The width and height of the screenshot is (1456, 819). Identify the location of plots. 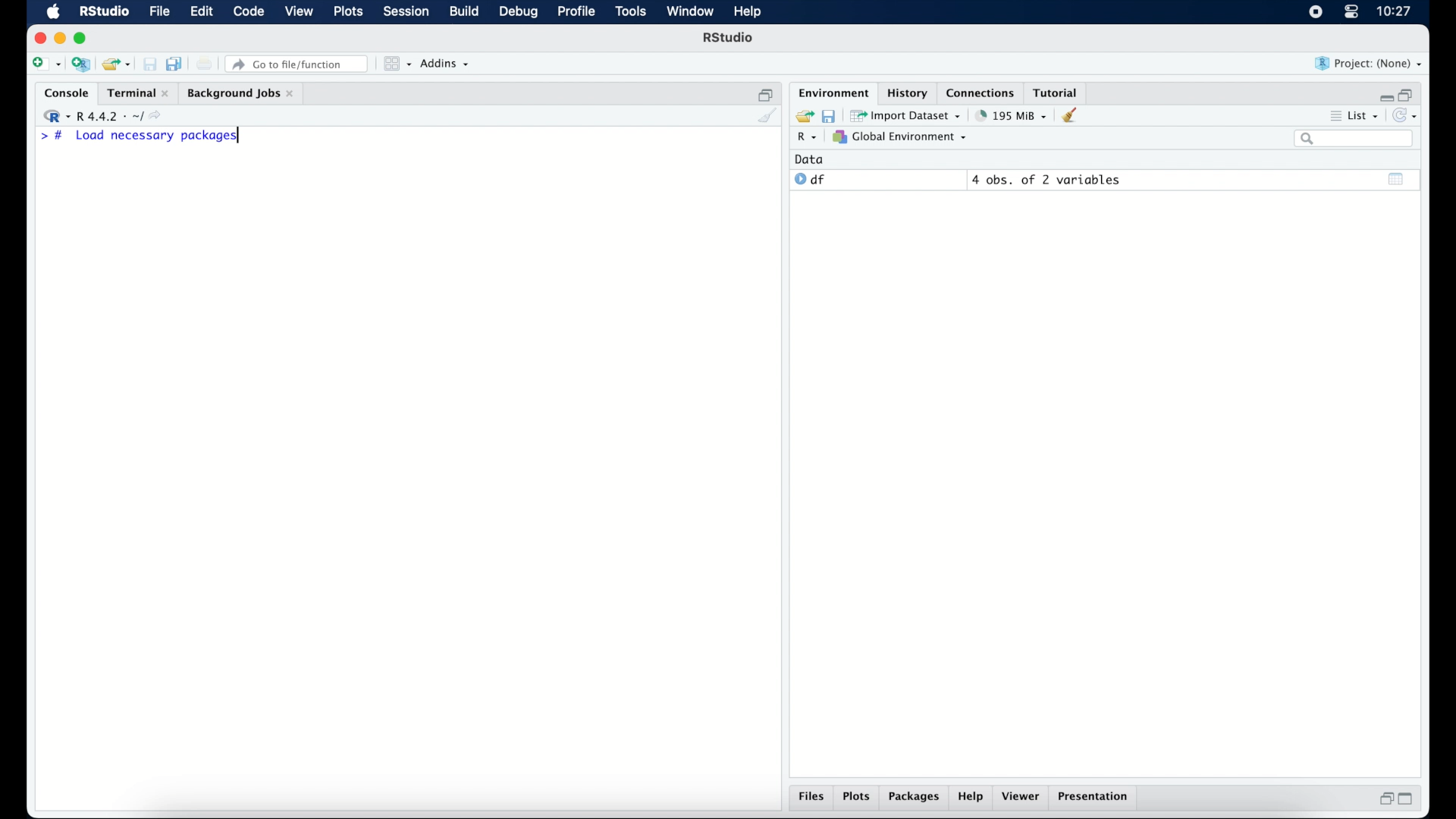
(350, 13).